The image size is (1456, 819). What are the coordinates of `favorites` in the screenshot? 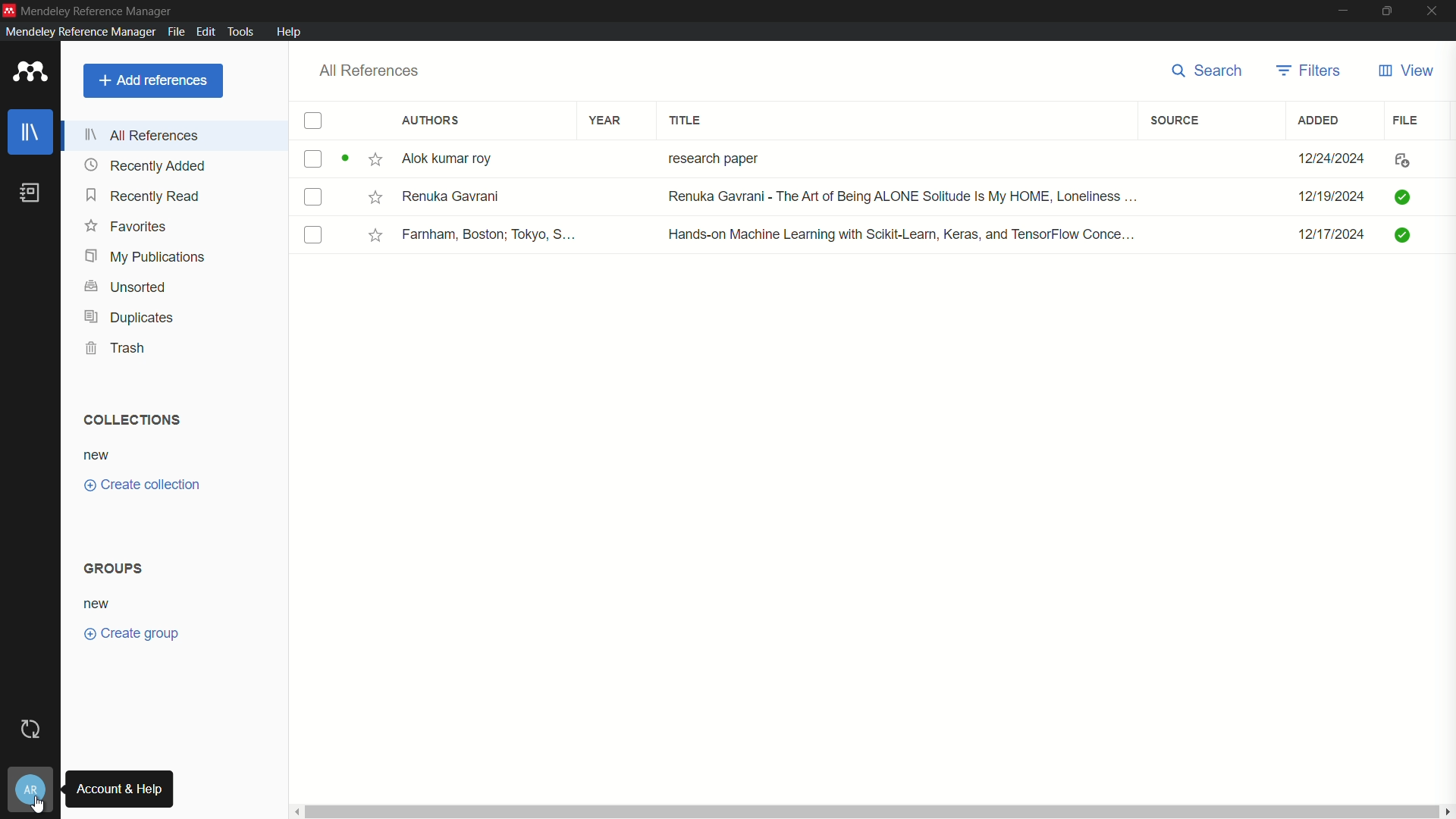 It's located at (129, 227).